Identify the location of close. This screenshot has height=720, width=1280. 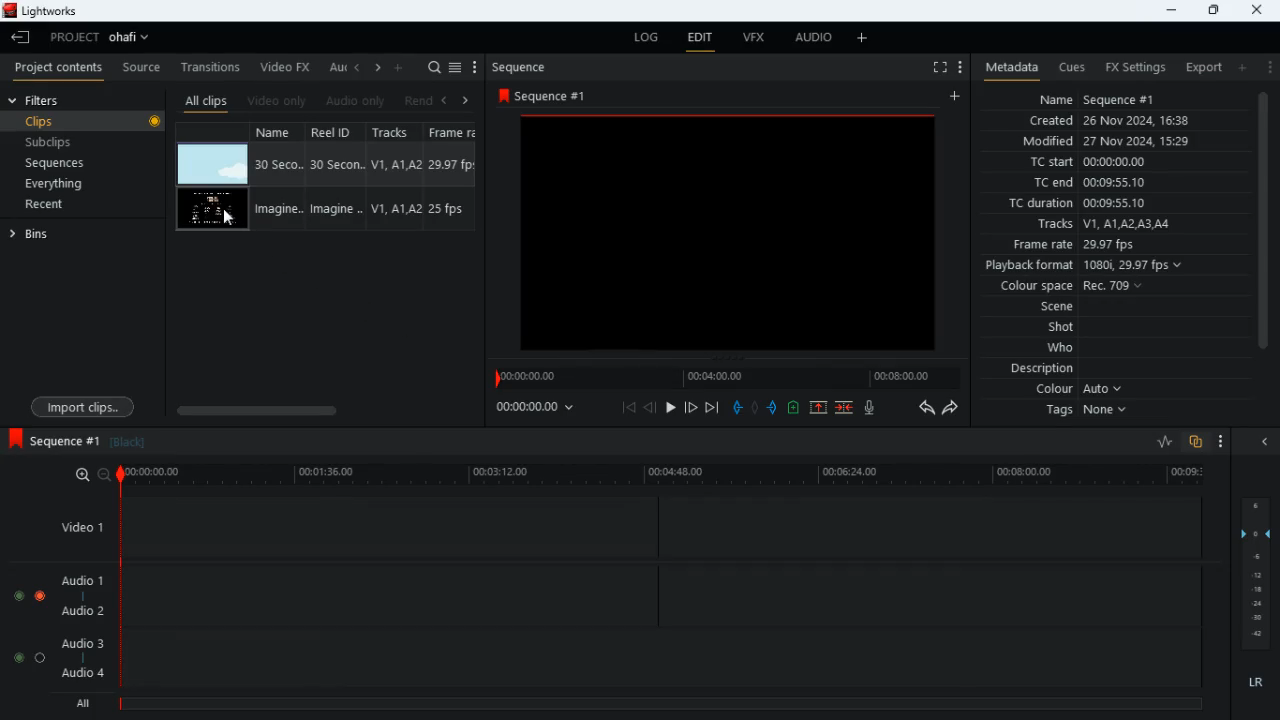
(1269, 443).